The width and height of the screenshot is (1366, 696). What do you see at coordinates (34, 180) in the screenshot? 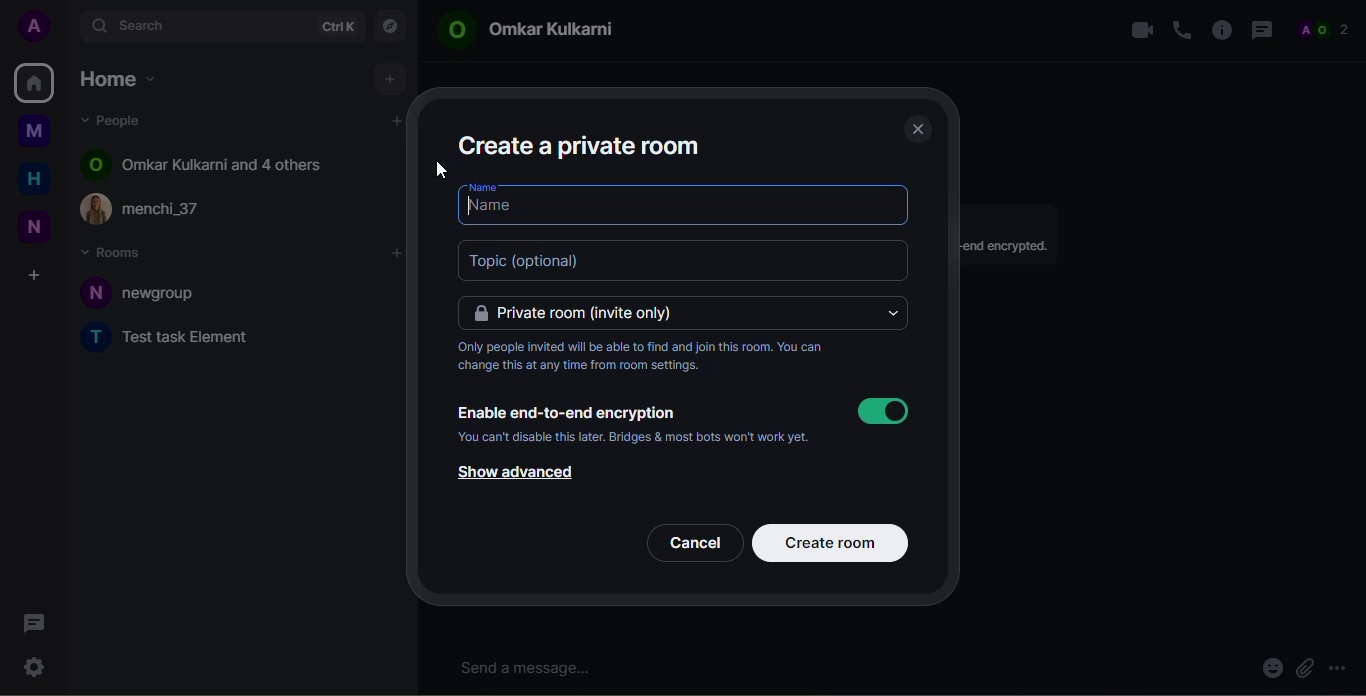
I see `home` at bounding box center [34, 180].